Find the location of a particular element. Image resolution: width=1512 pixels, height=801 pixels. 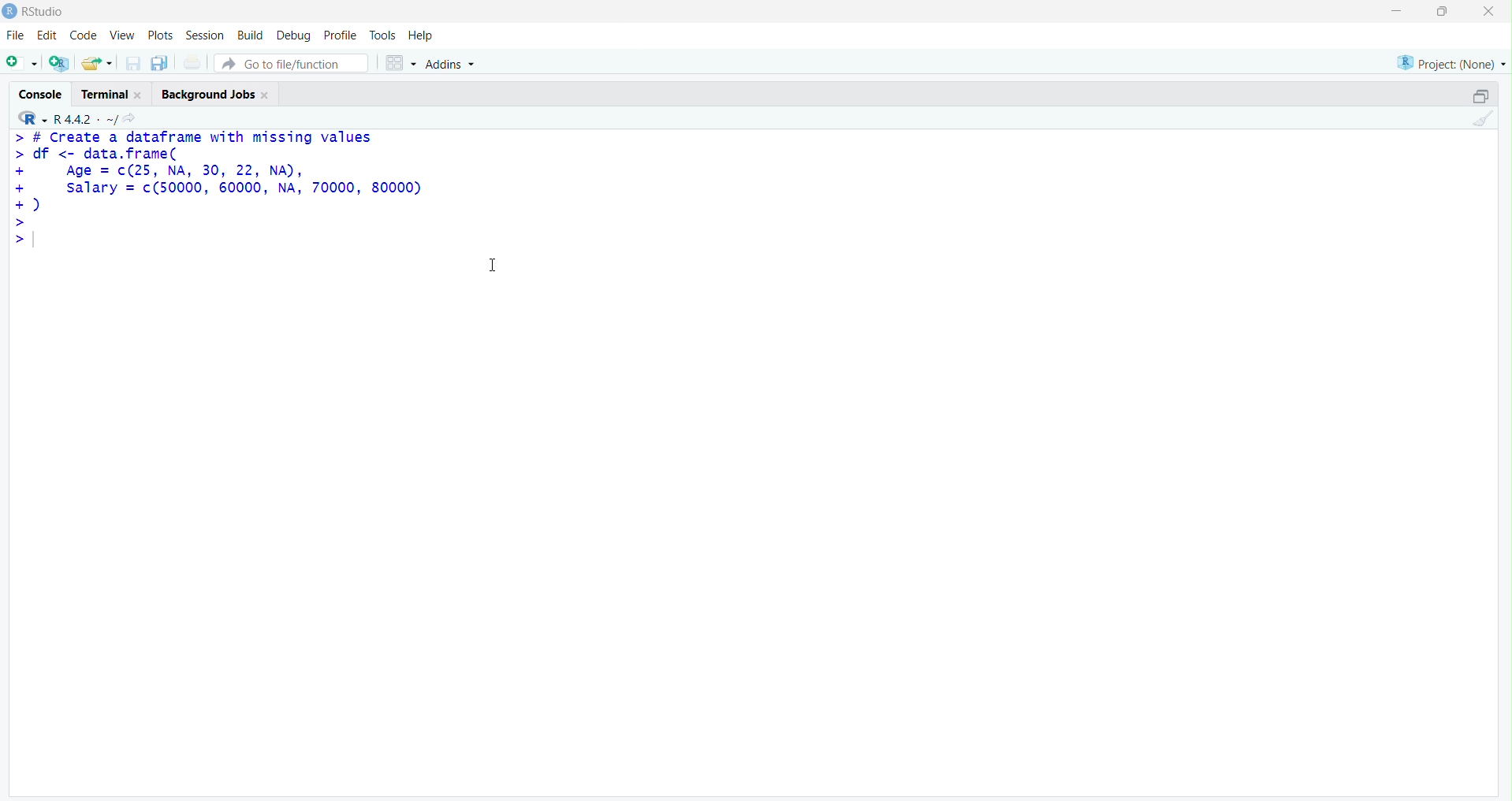

Clsoe is located at coordinates (1489, 12).